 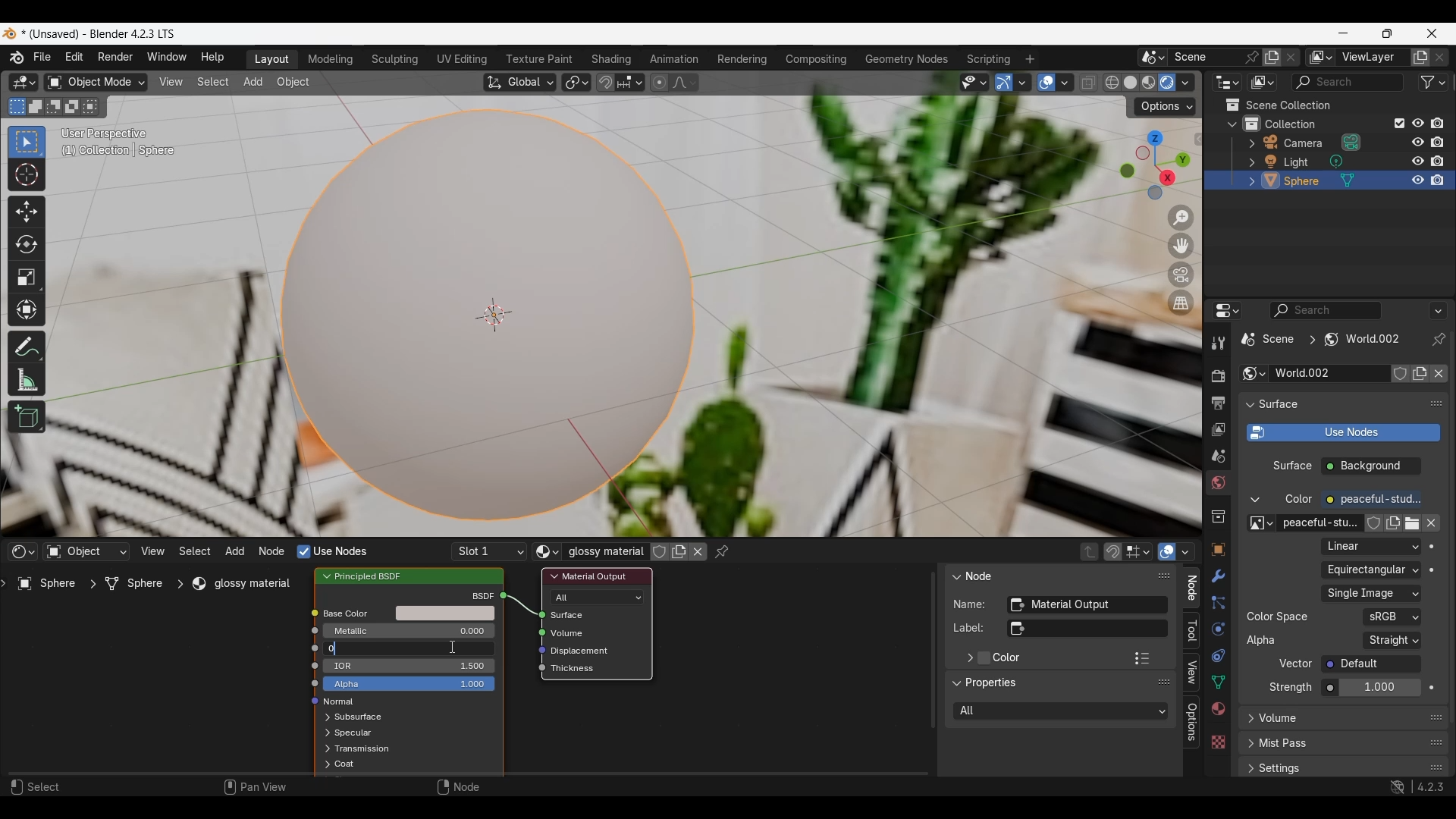 I want to click on respectively hide in viewport, so click(x=1414, y=162).